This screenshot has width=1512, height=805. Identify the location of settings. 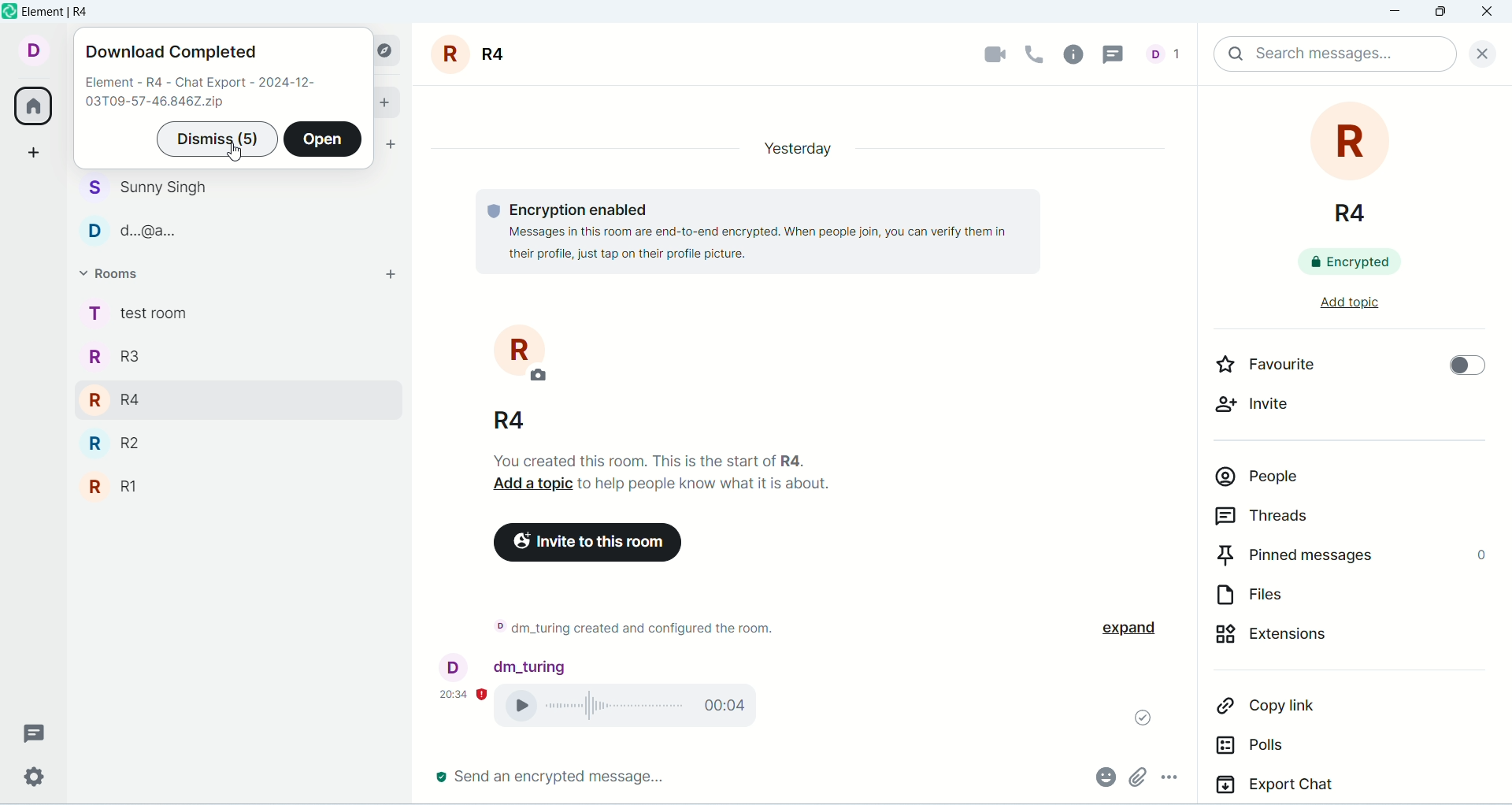
(32, 777).